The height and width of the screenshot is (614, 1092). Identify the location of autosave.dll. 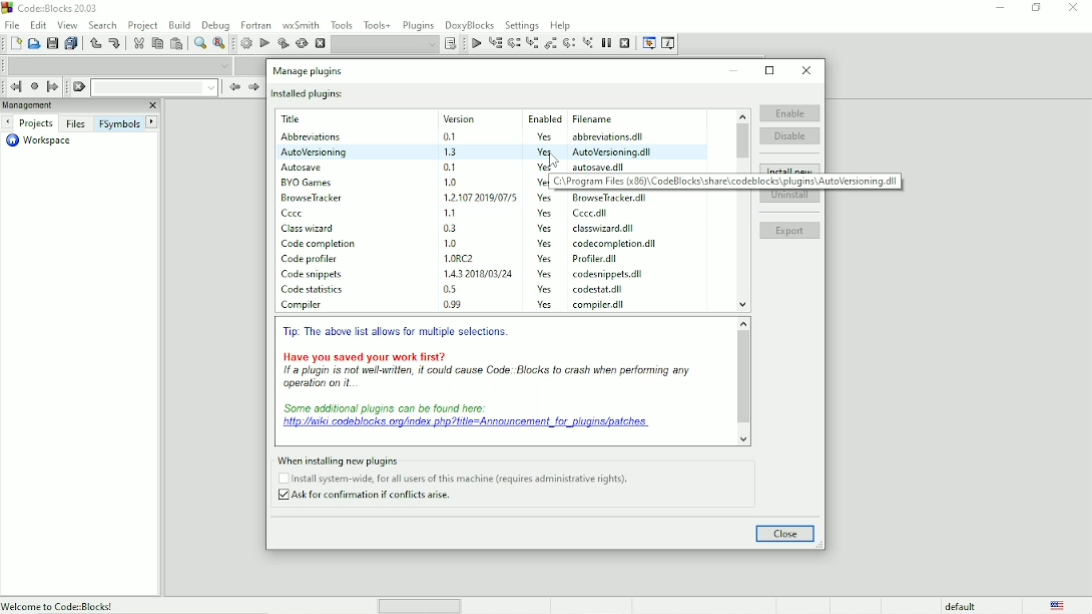
(600, 166).